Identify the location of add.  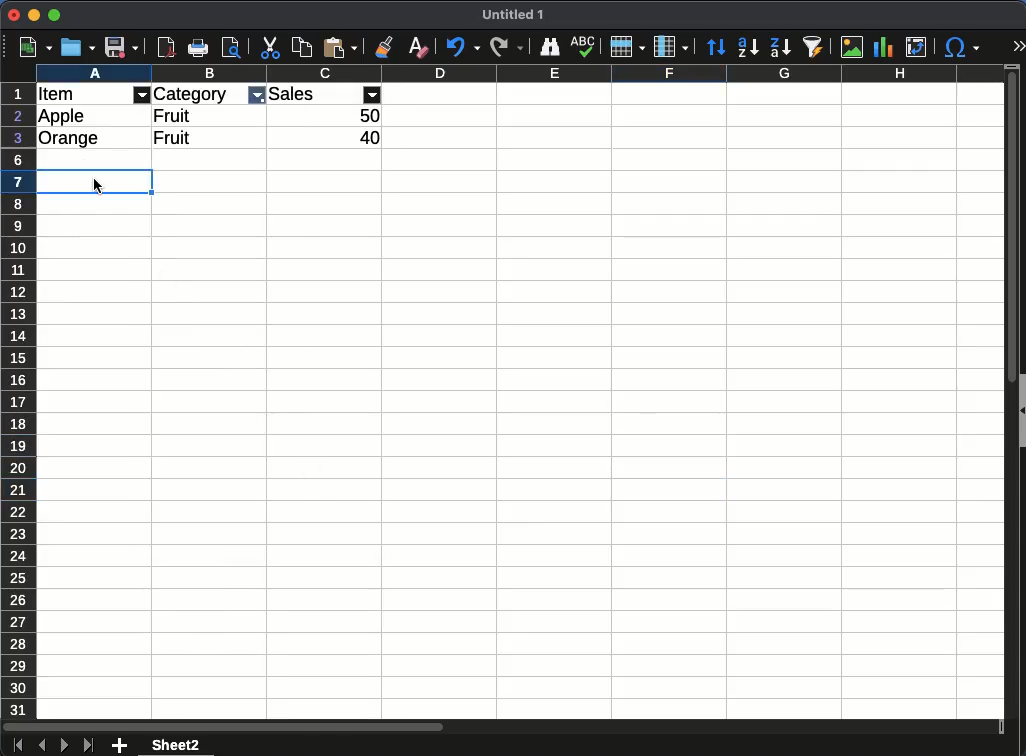
(119, 746).